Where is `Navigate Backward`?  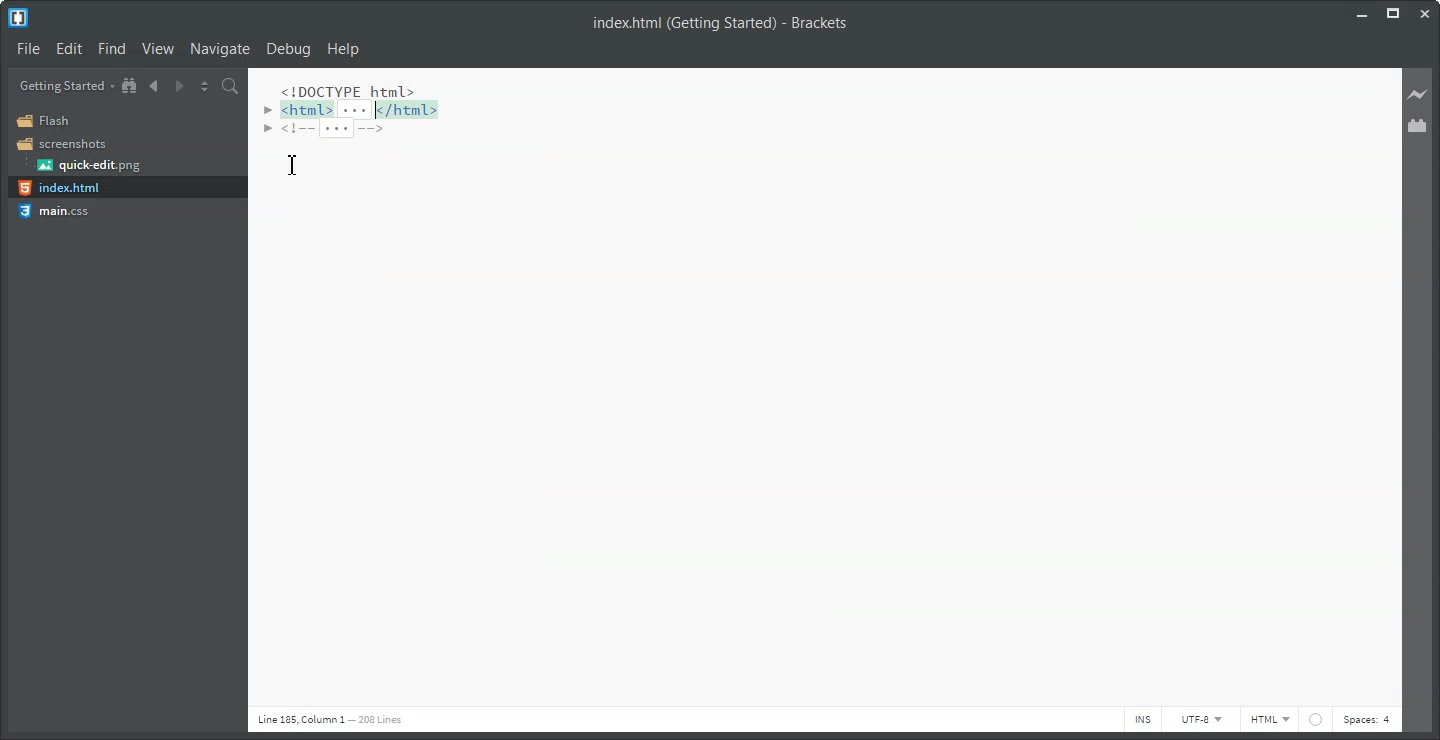 Navigate Backward is located at coordinates (154, 86).